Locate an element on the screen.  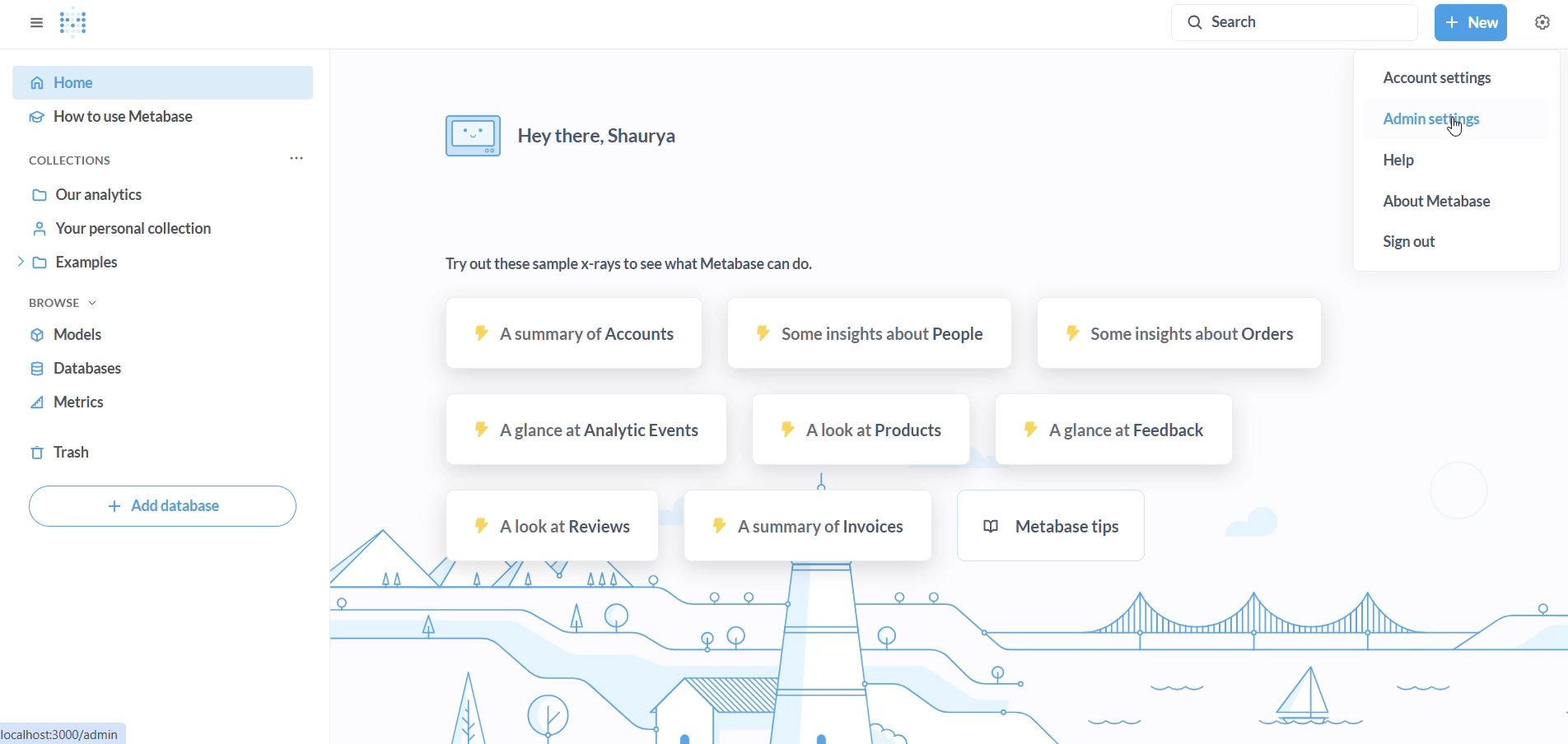
+ Add database is located at coordinates (166, 506).